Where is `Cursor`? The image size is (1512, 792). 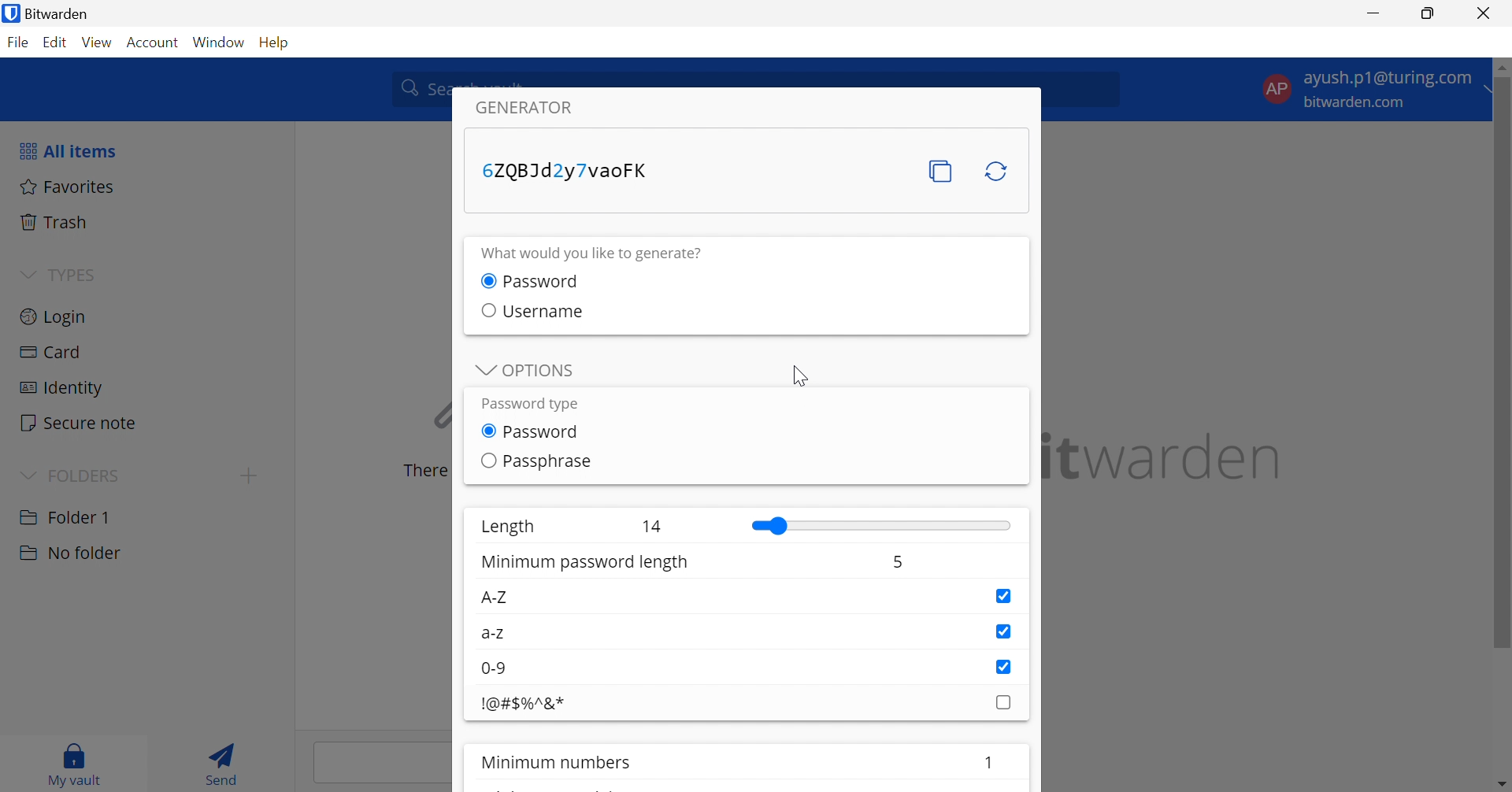 Cursor is located at coordinates (800, 376).